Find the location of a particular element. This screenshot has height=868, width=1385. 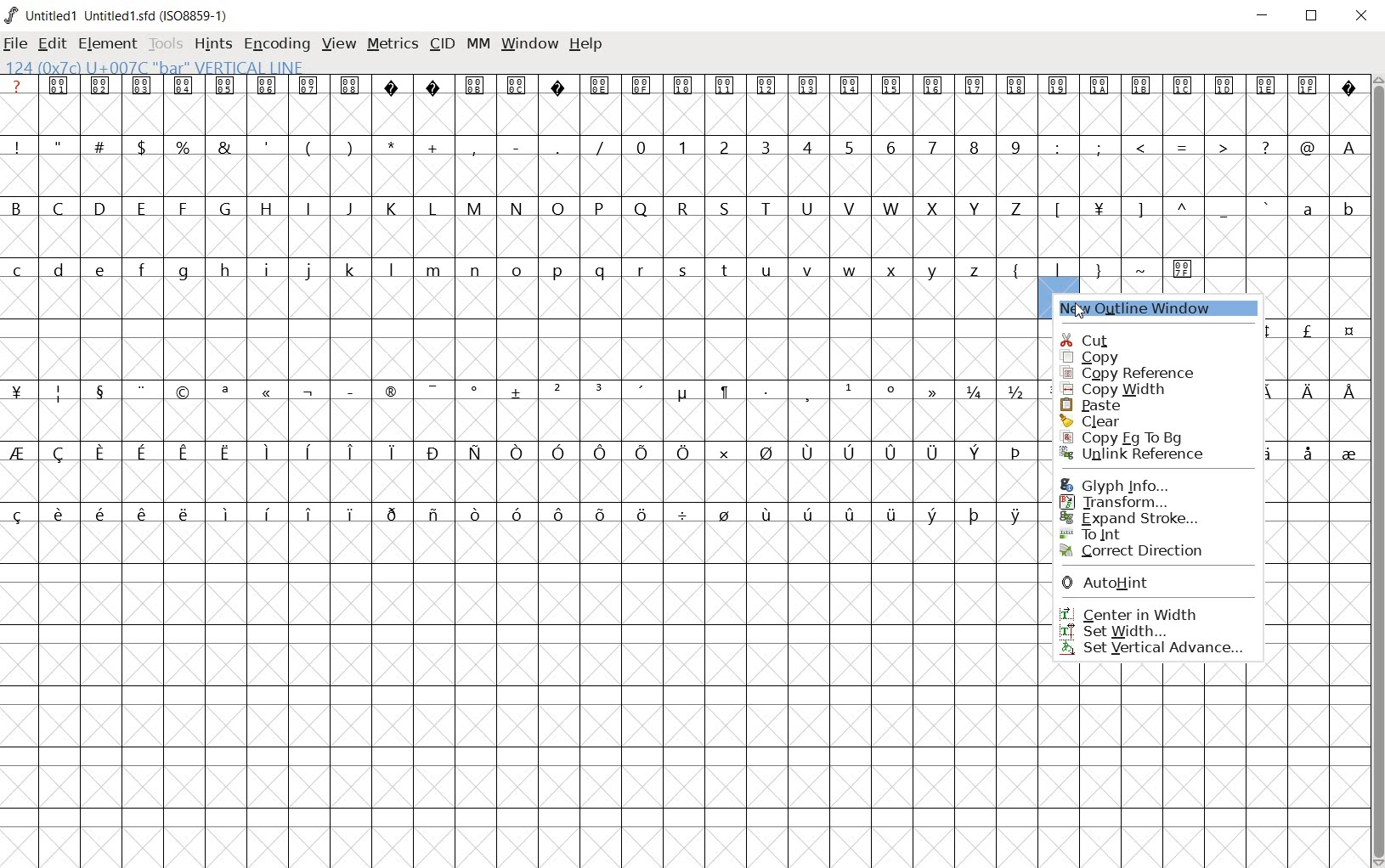

hints is located at coordinates (213, 44).